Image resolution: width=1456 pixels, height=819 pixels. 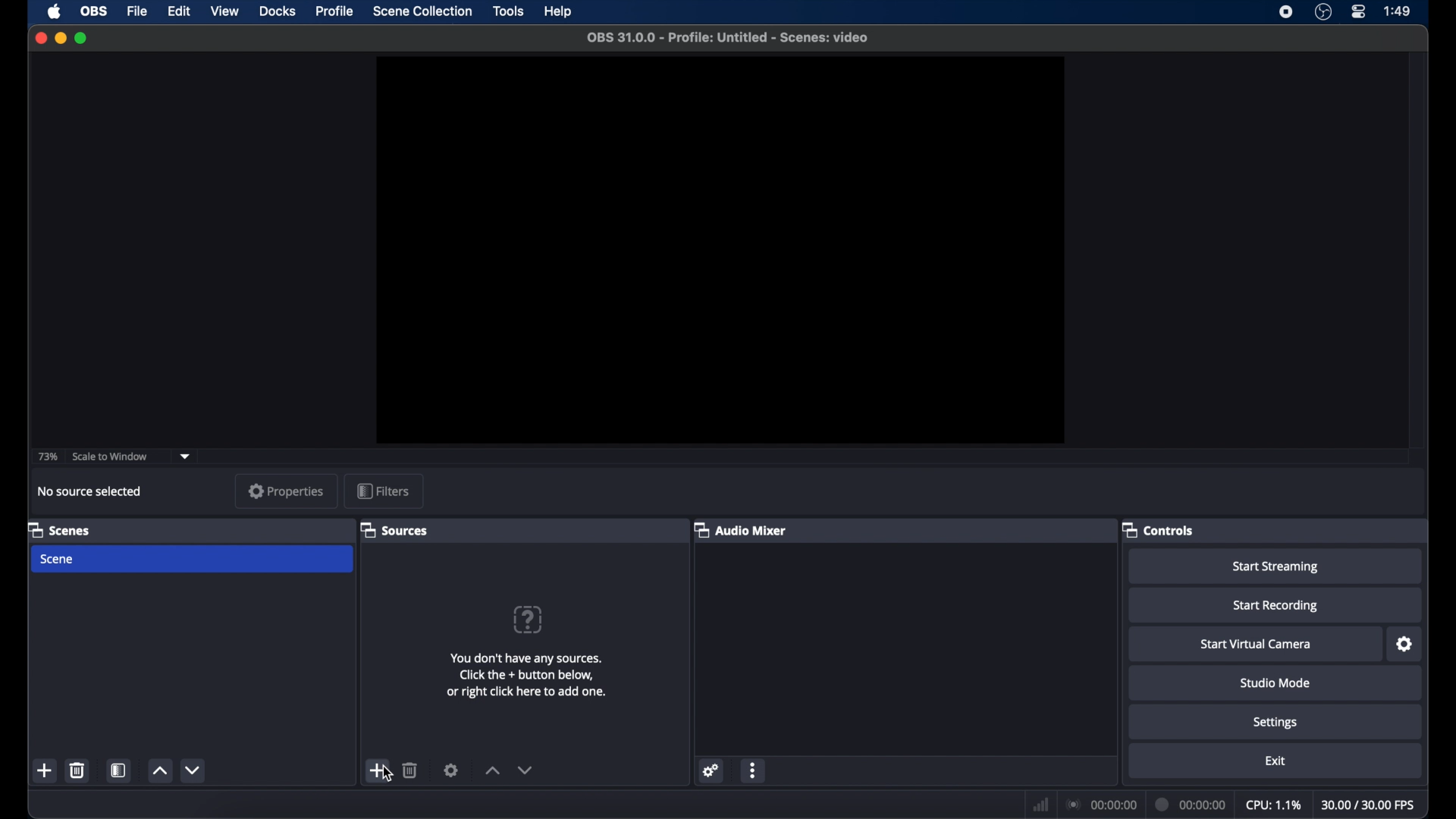 What do you see at coordinates (93, 11) in the screenshot?
I see `obs` at bounding box center [93, 11].